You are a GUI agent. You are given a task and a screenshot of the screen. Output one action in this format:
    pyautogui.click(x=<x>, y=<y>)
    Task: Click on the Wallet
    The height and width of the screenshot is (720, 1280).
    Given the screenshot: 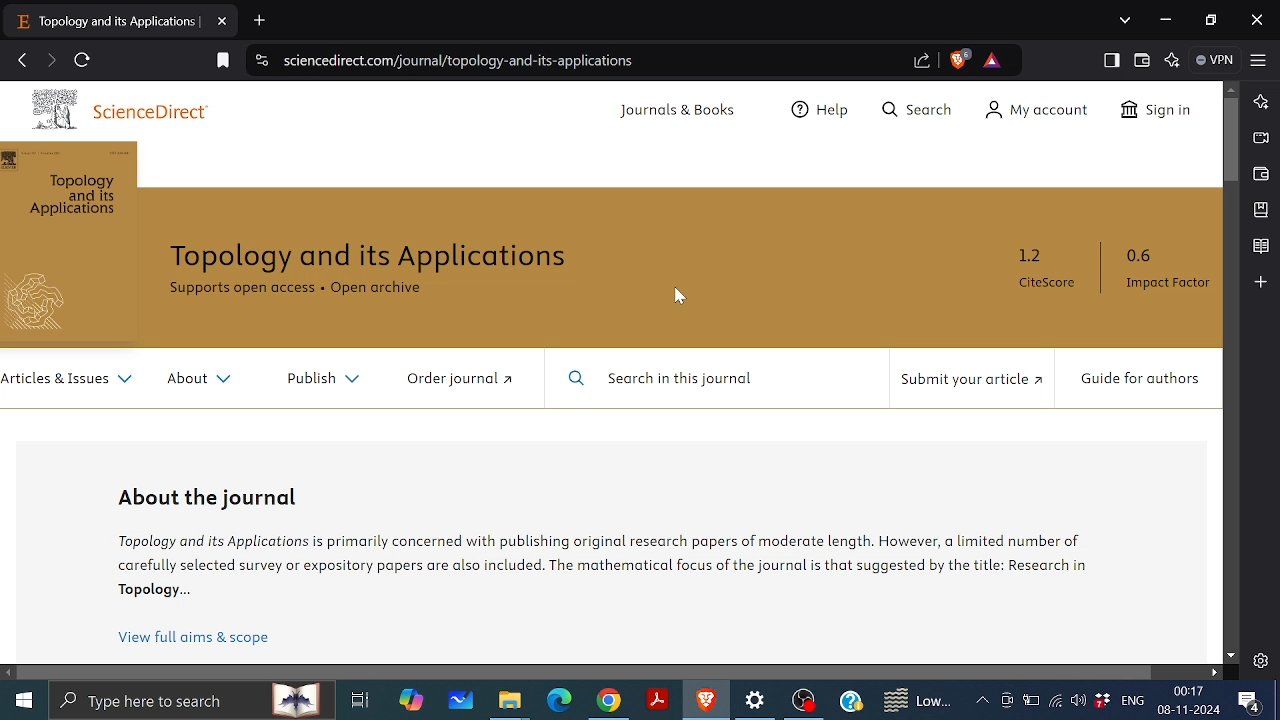 What is the action you would take?
    pyautogui.click(x=1260, y=174)
    